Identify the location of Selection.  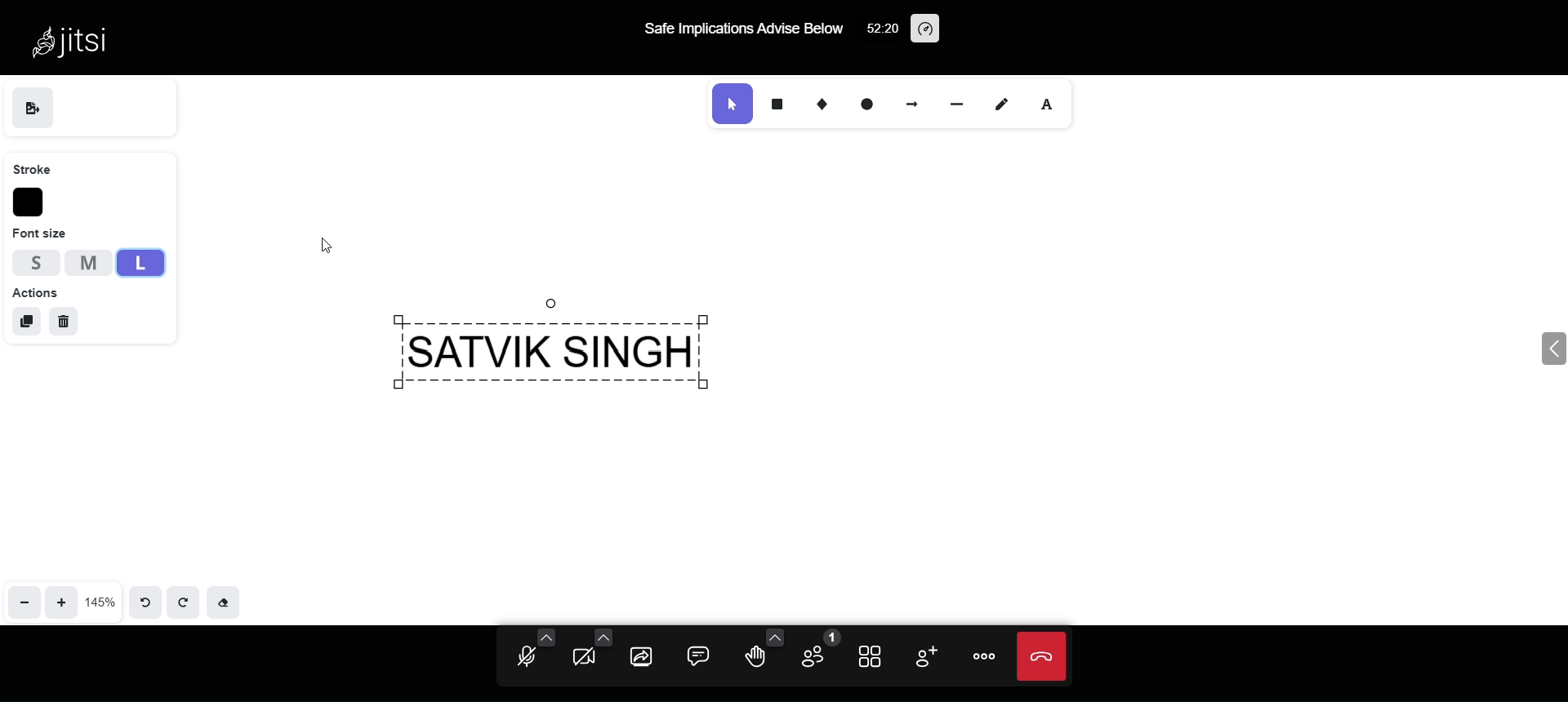
(728, 104).